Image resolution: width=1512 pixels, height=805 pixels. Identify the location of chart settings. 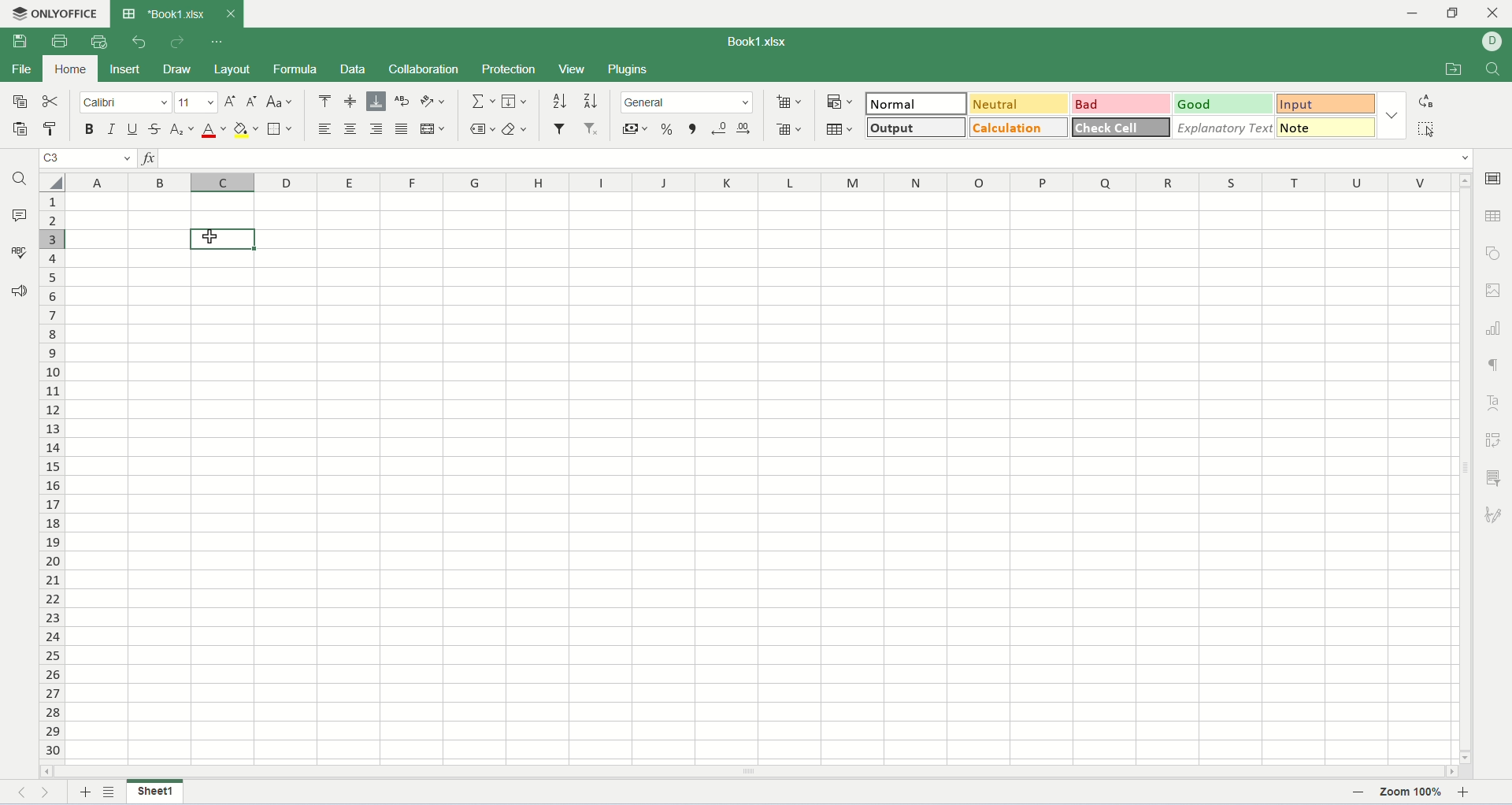
(1495, 329).